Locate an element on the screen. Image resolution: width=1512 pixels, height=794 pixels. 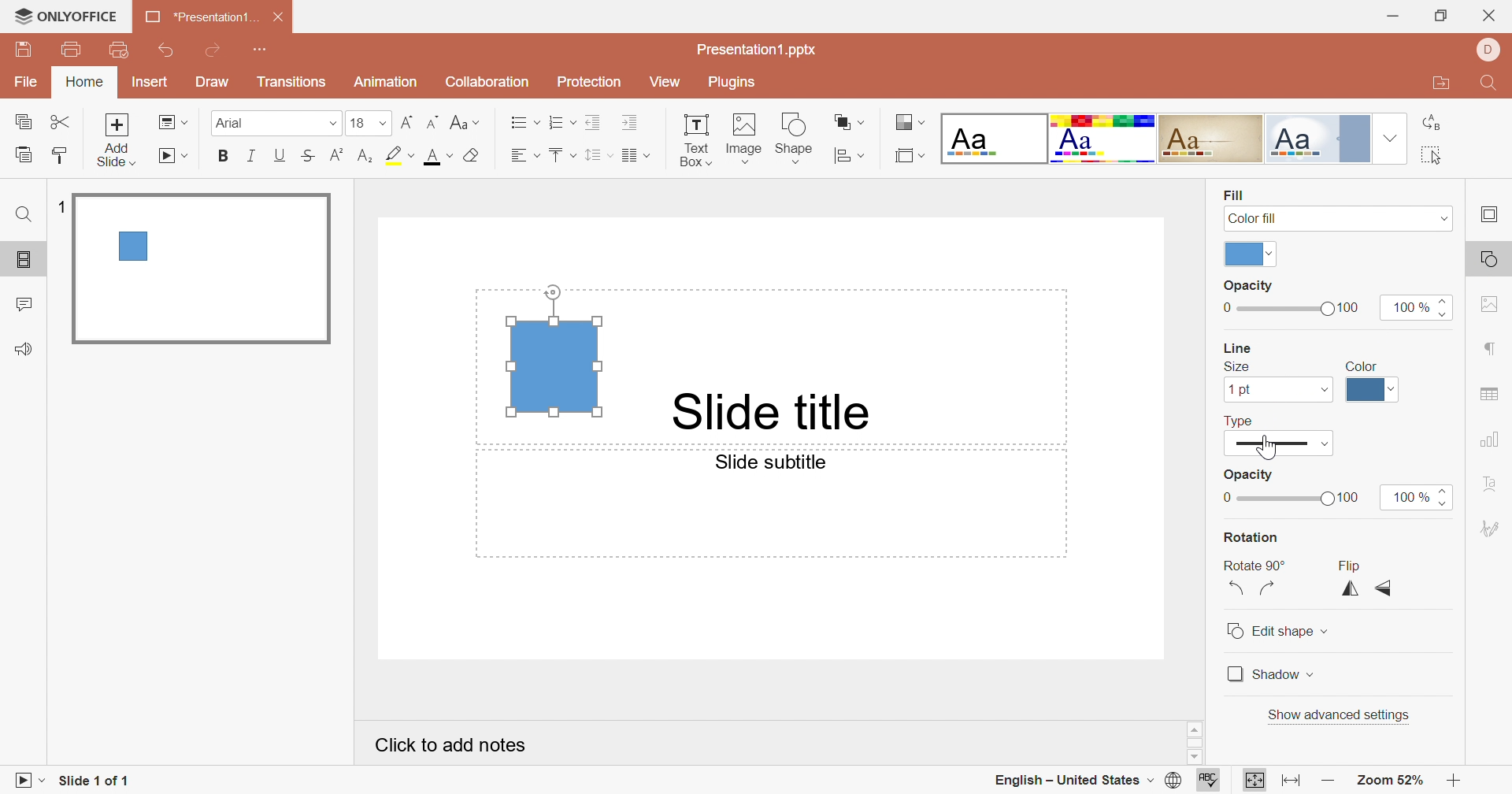
Print file is located at coordinates (69, 52).